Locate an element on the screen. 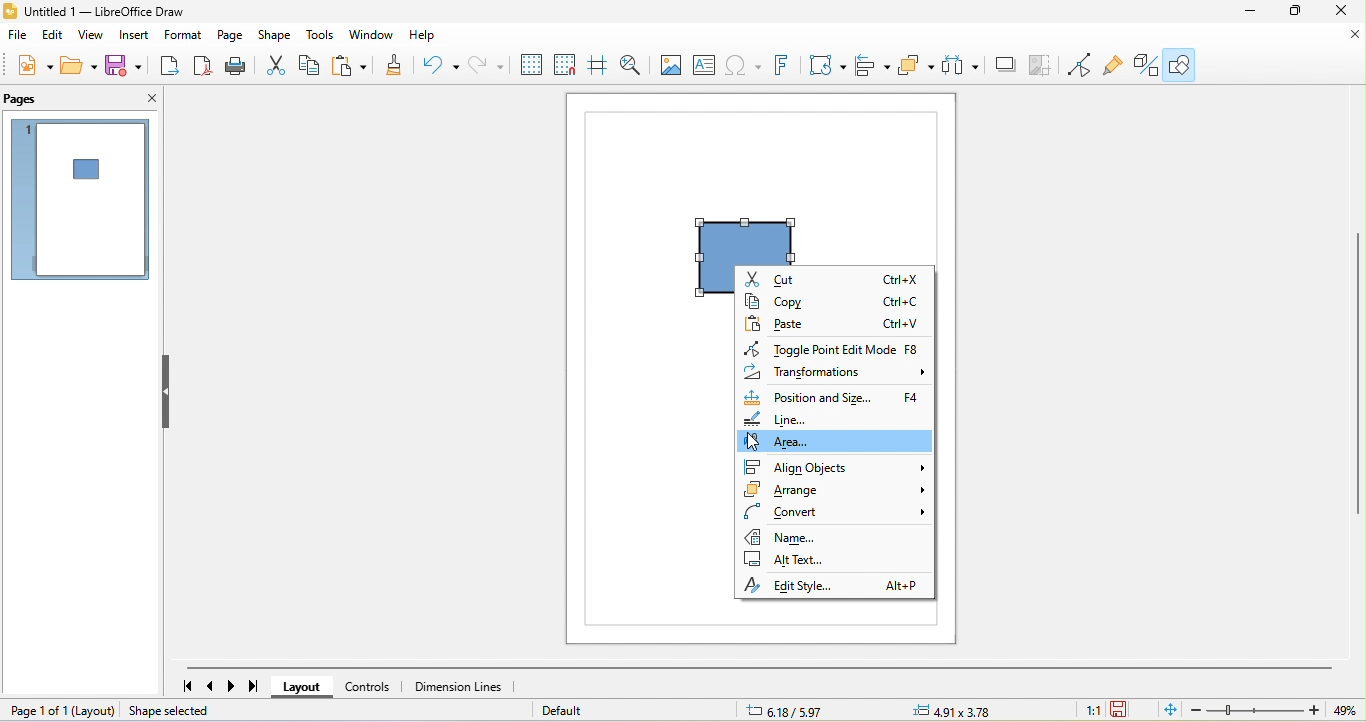 This screenshot has height=722, width=1366. text box is located at coordinates (707, 65).